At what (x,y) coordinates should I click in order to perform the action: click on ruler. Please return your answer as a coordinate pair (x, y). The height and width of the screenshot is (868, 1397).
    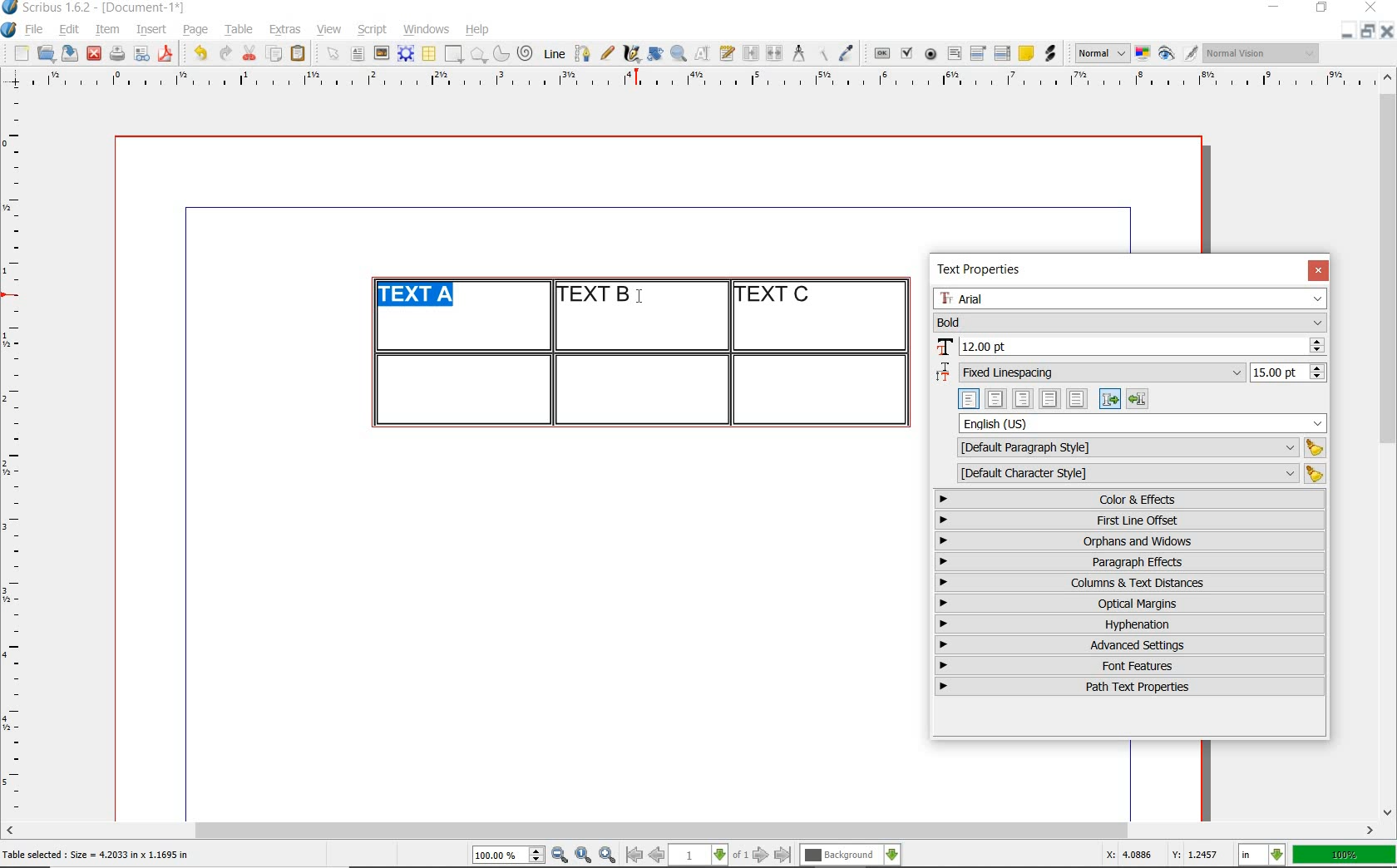
    Looking at the image, I should click on (18, 454).